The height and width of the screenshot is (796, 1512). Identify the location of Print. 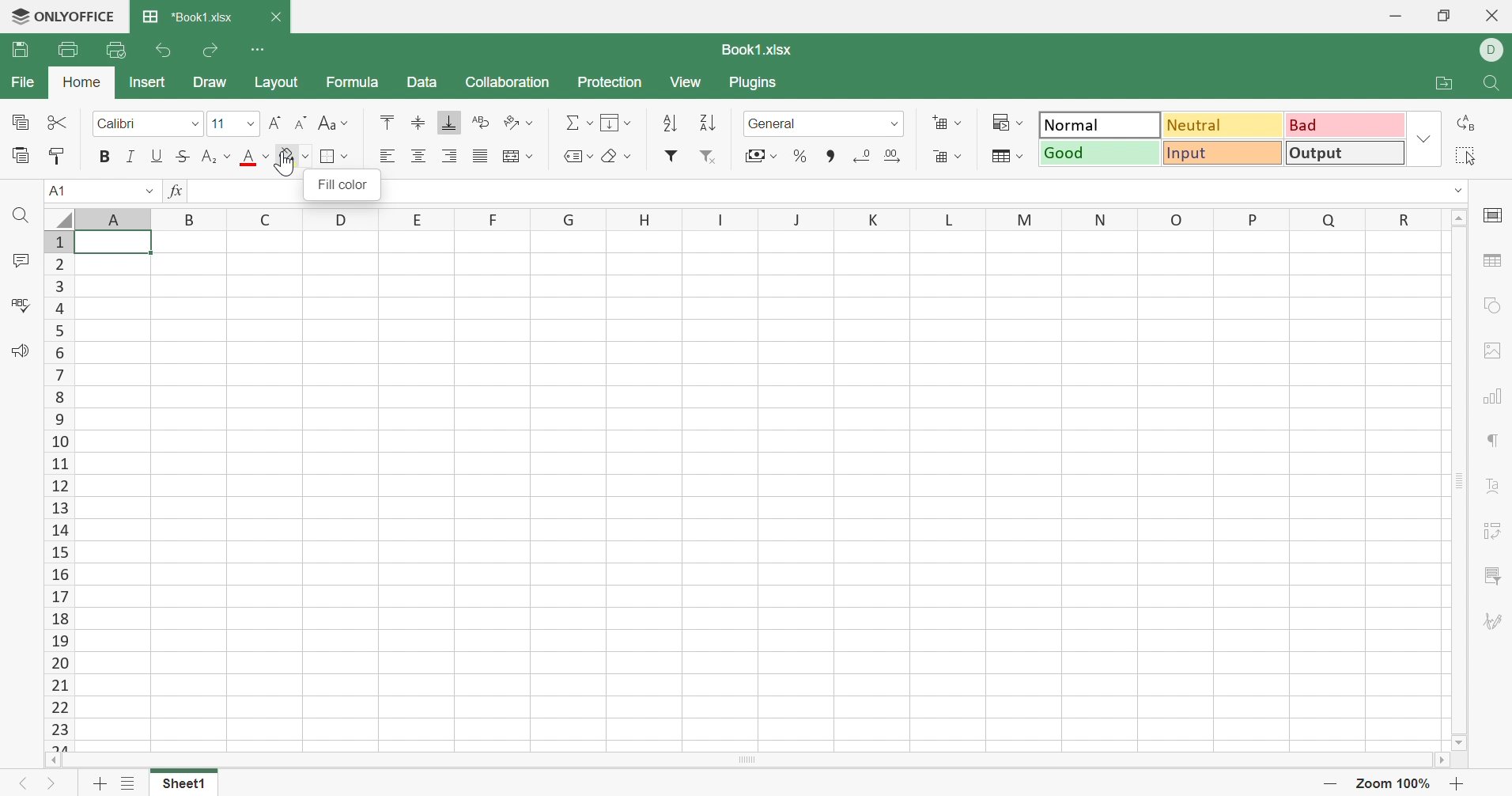
(67, 47).